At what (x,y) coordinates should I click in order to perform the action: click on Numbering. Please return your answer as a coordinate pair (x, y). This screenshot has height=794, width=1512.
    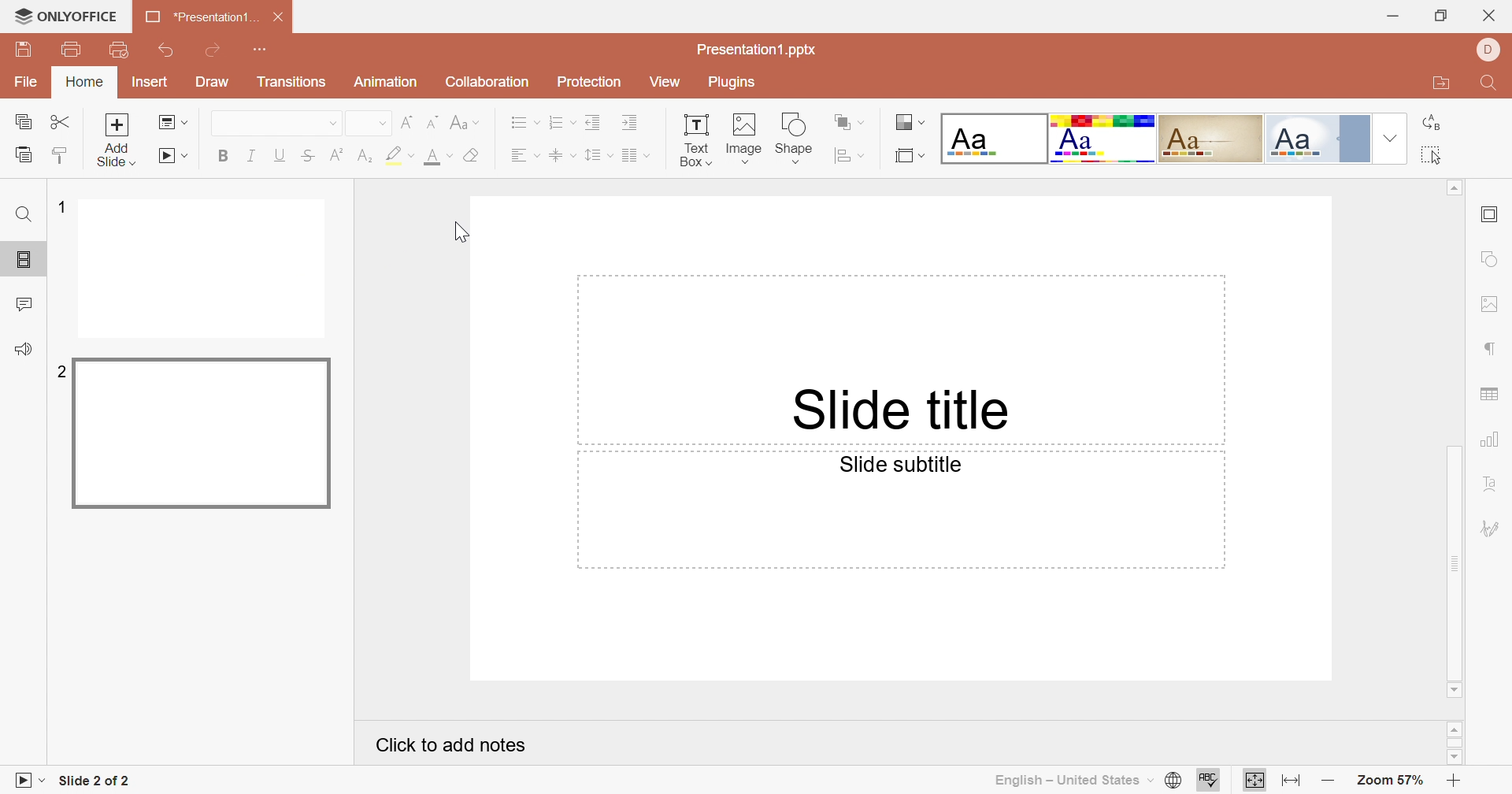
    Looking at the image, I should click on (561, 121).